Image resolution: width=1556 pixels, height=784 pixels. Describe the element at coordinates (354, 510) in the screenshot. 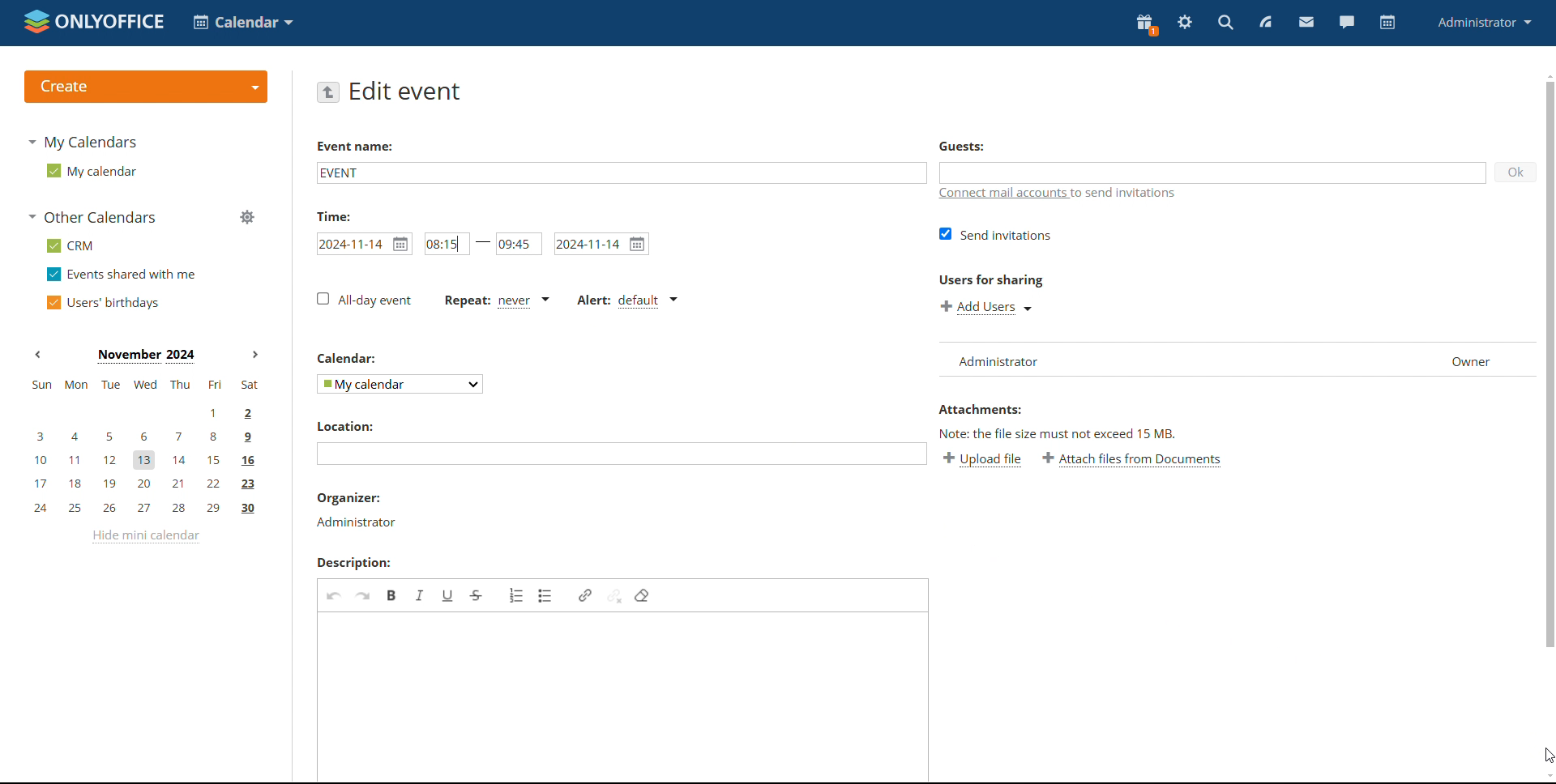

I see `organizer` at that location.